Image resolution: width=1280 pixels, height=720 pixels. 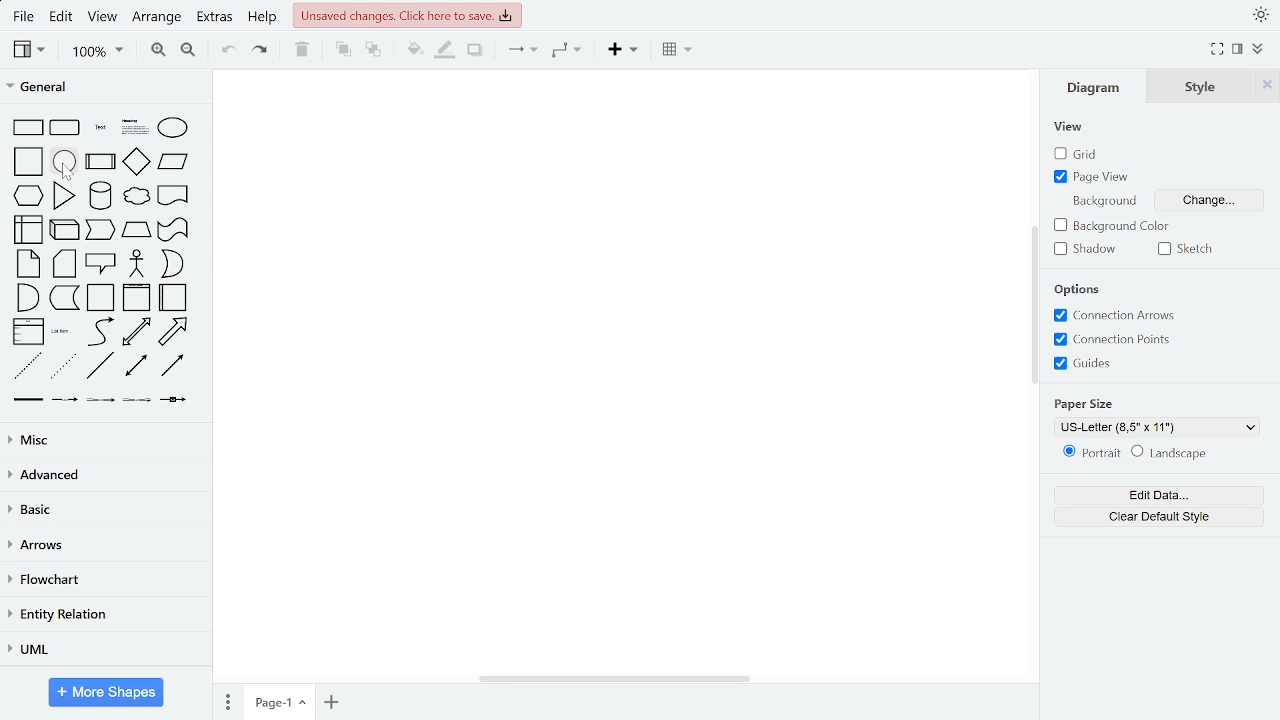 I want to click on bidirectional connector, so click(x=135, y=367).